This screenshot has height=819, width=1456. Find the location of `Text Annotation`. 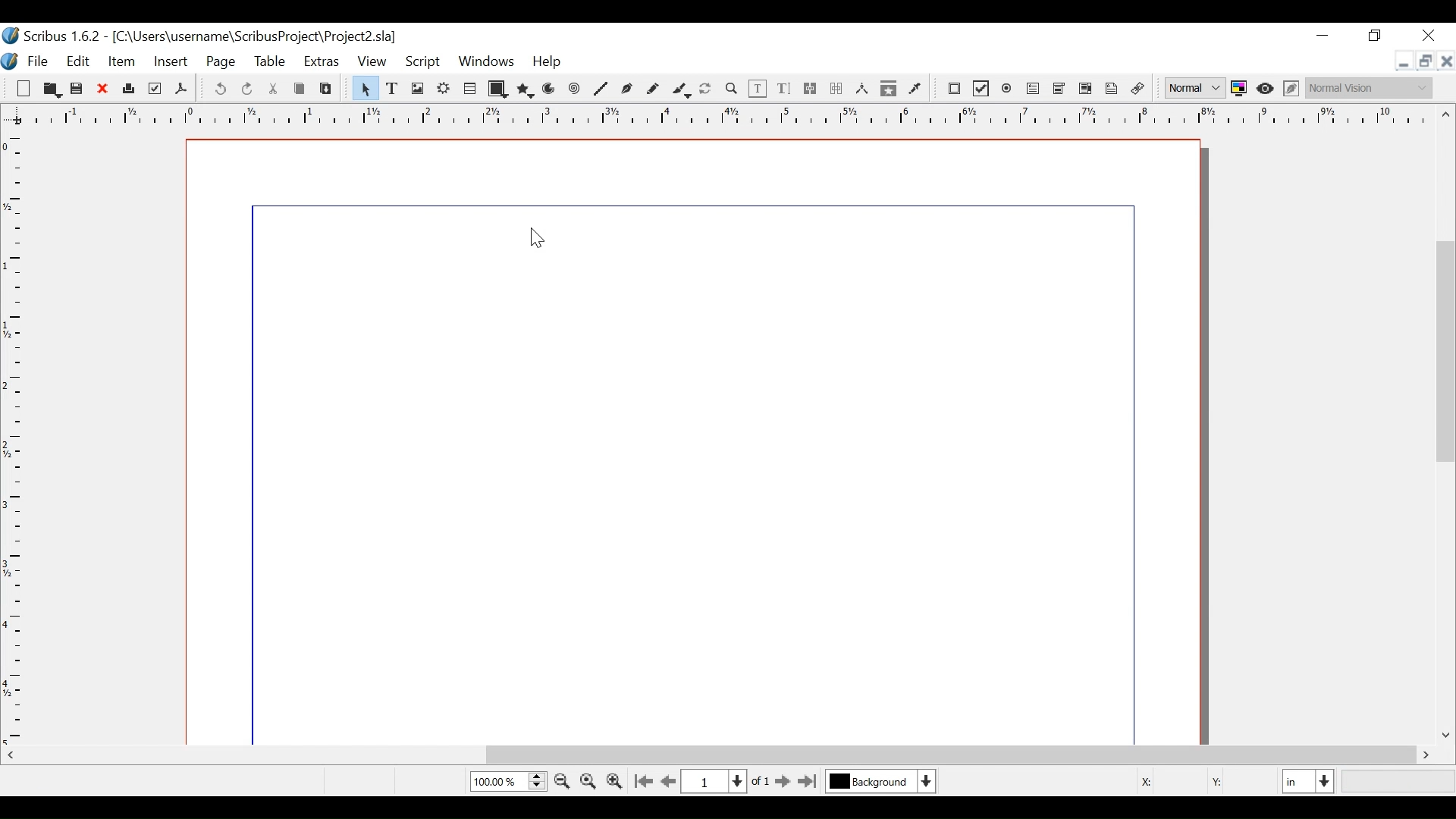

Text Annotation is located at coordinates (1109, 89).